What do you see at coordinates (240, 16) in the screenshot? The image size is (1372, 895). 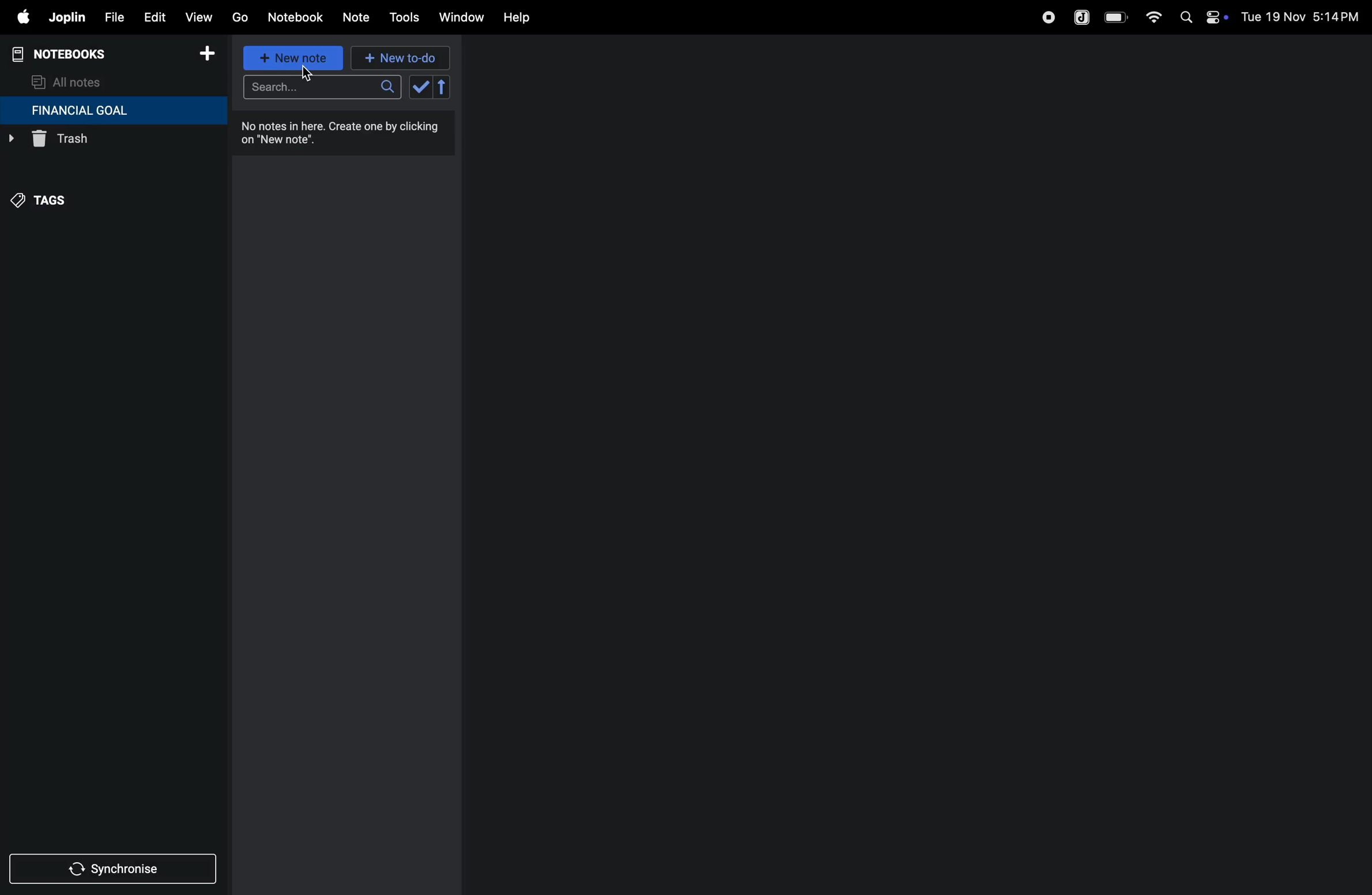 I see `go` at bounding box center [240, 16].